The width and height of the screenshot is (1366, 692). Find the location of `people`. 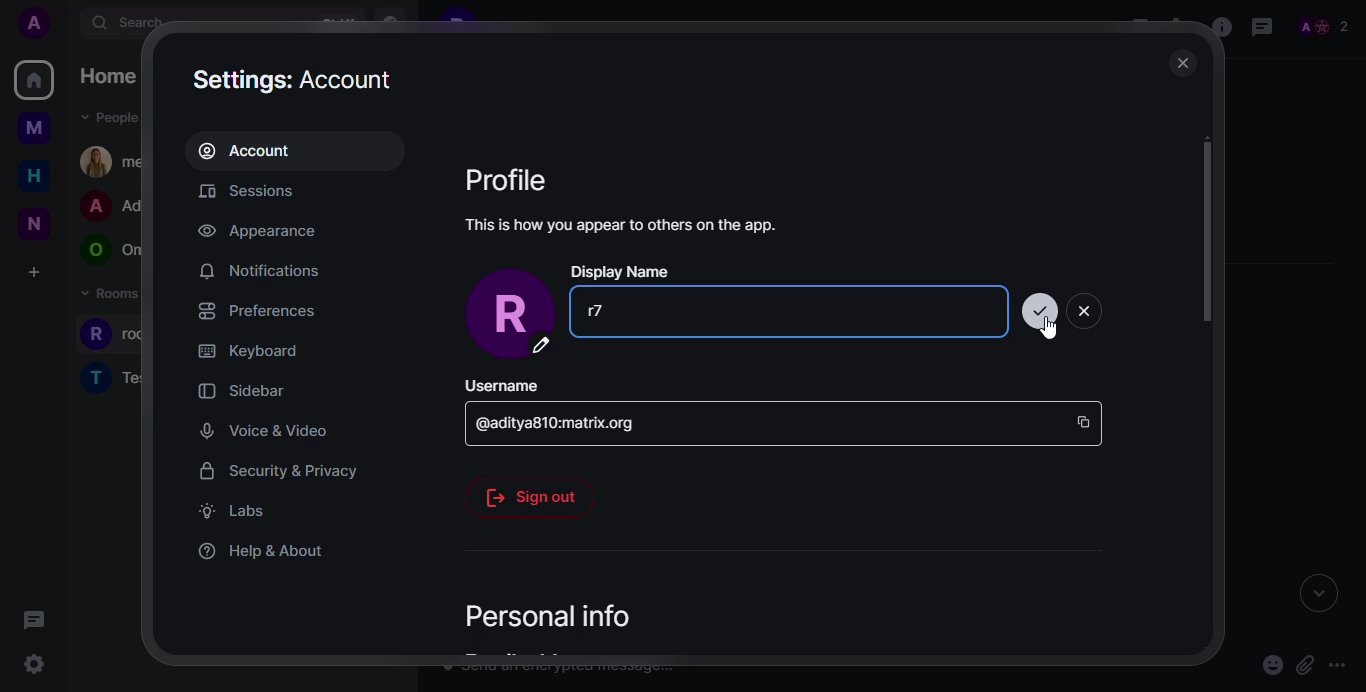

people is located at coordinates (1330, 26).